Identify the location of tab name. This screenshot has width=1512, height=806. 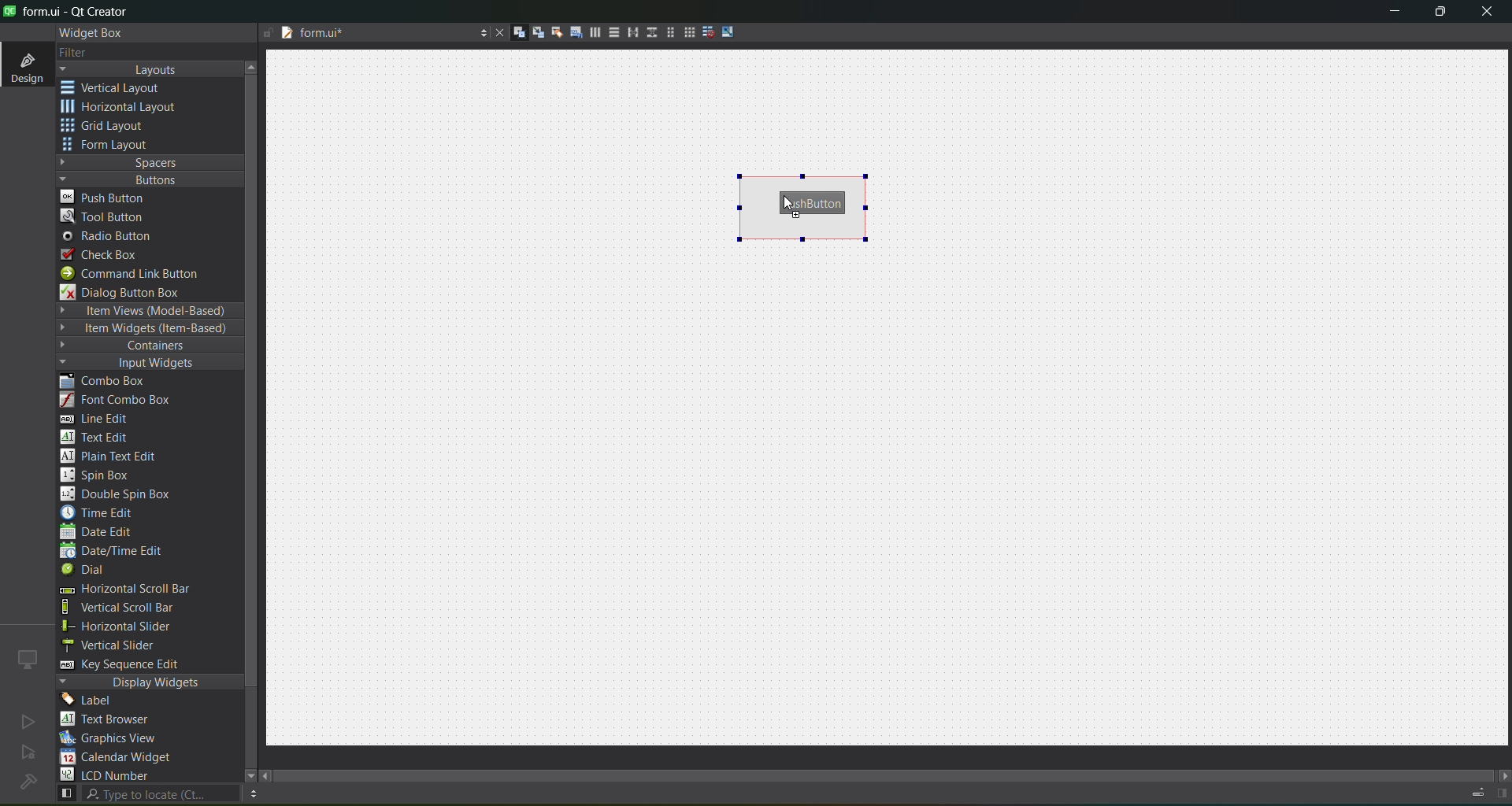
(373, 34).